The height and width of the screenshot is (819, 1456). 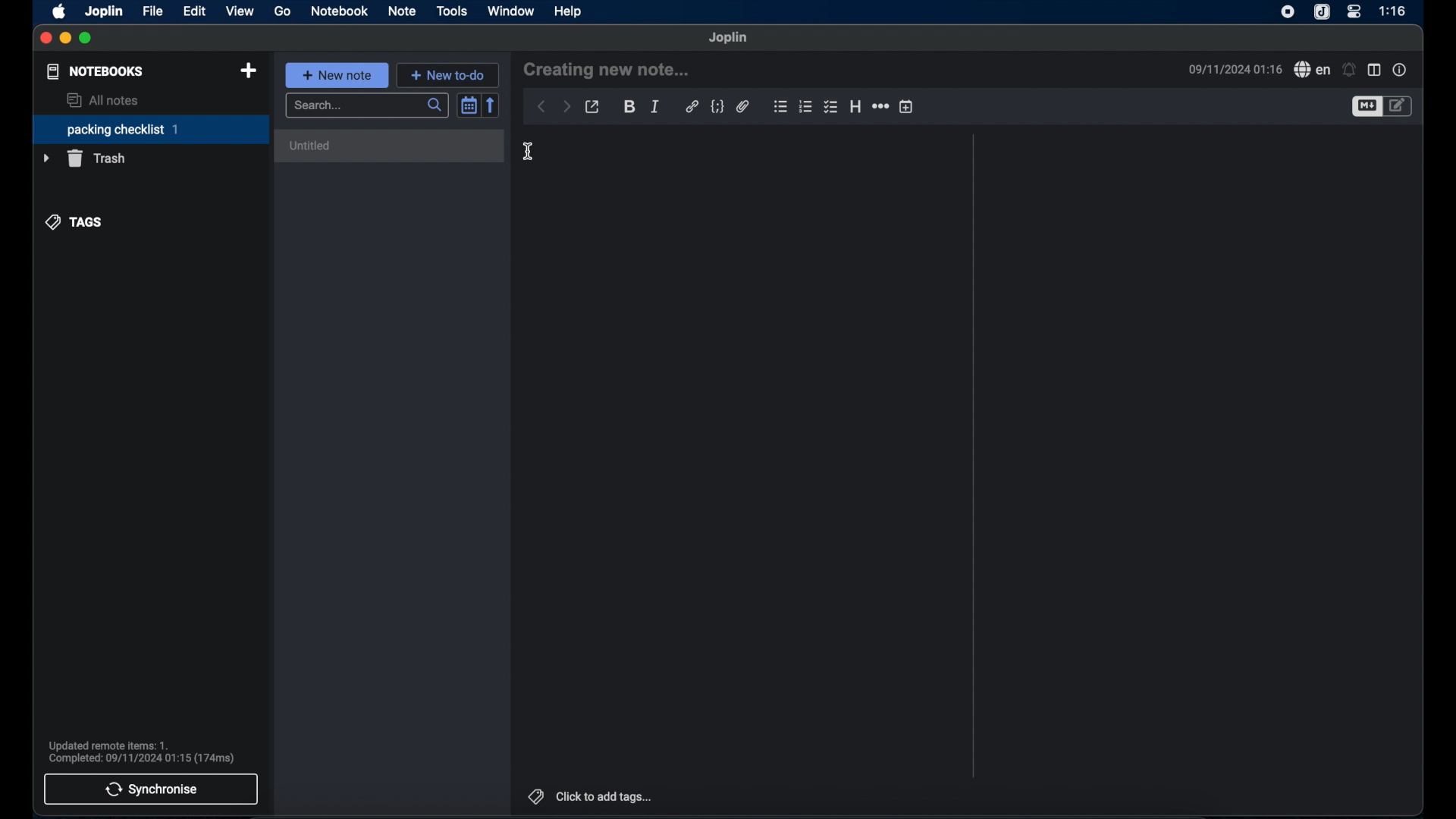 What do you see at coordinates (58, 12) in the screenshot?
I see `apple icon` at bounding box center [58, 12].